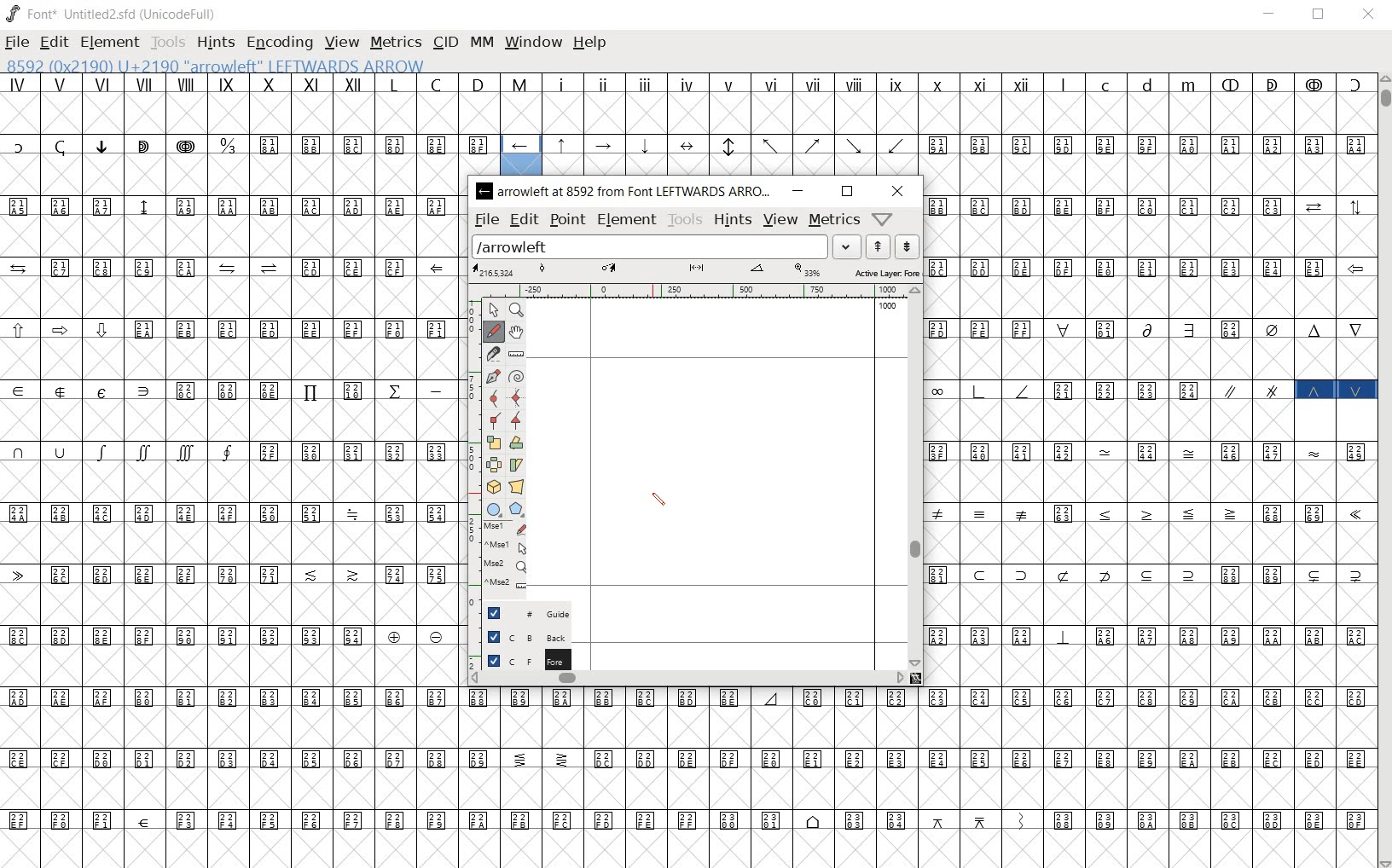 This screenshot has width=1392, height=868. What do you see at coordinates (516, 510) in the screenshot?
I see `polygon or star` at bounding box center [516, 510].